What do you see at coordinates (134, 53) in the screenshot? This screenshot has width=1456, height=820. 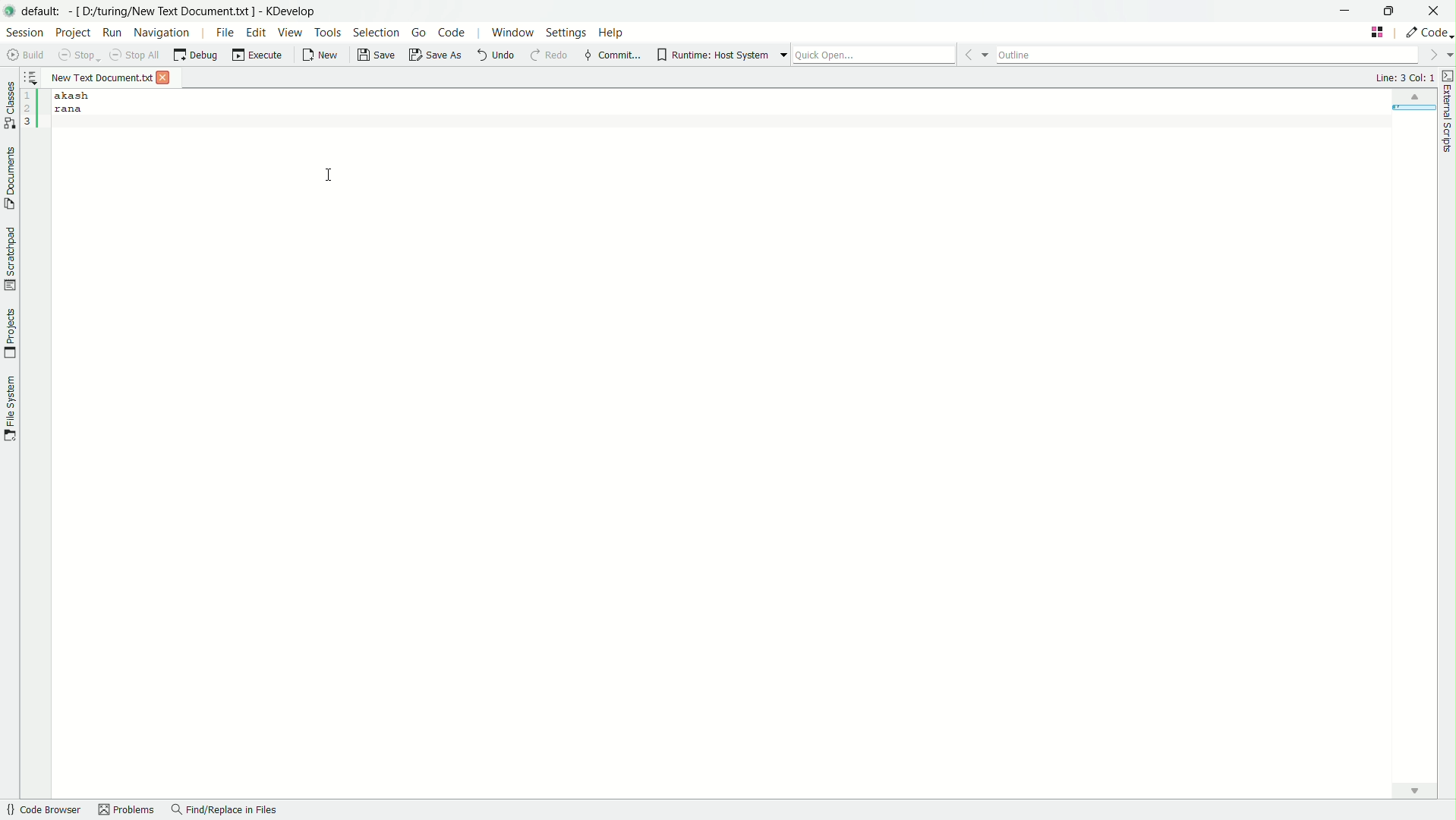 I see `stop all` at bounding box center [134, 53].